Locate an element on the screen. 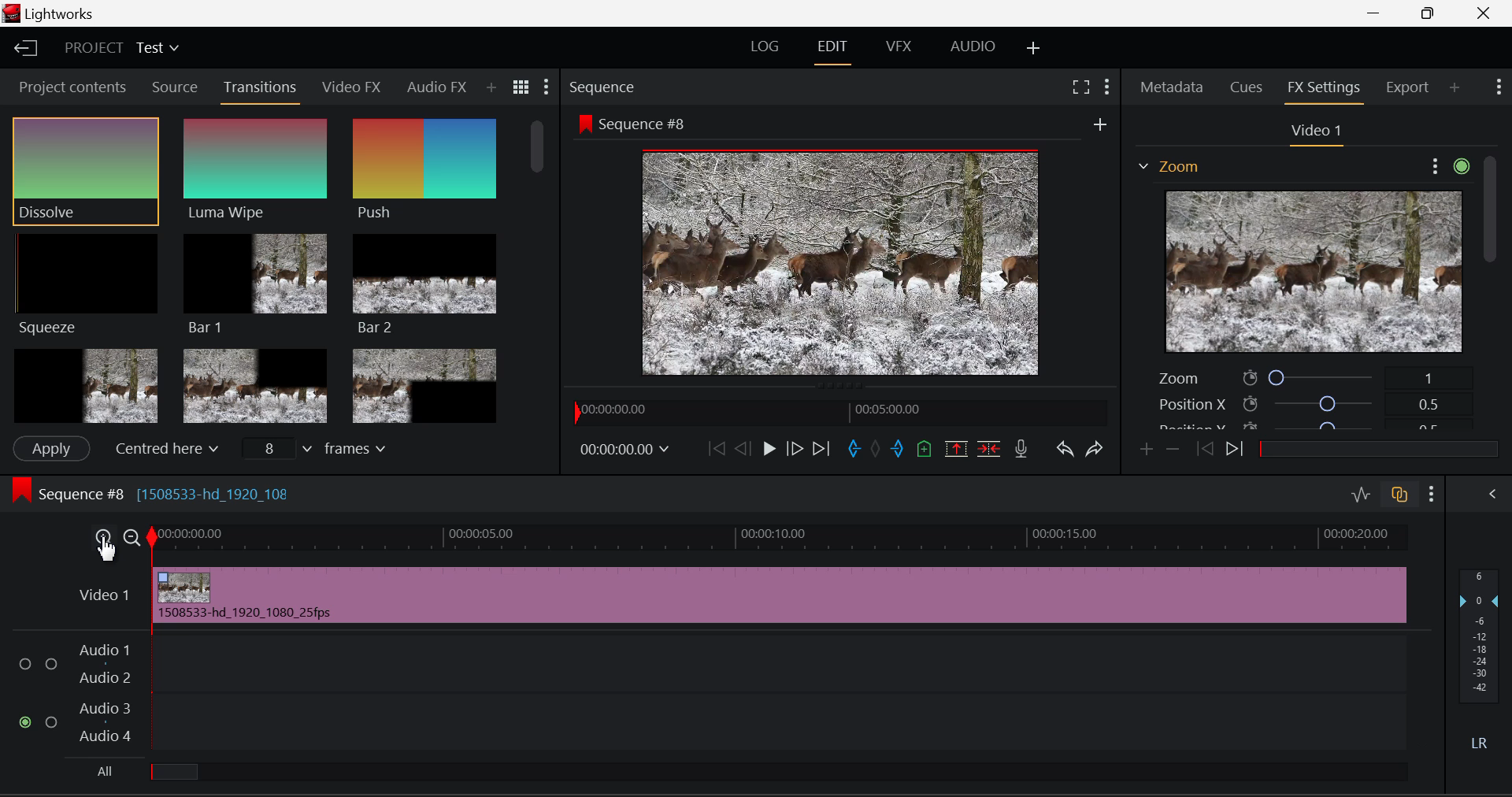  Remove marked section is located at coordinates (955, 447).